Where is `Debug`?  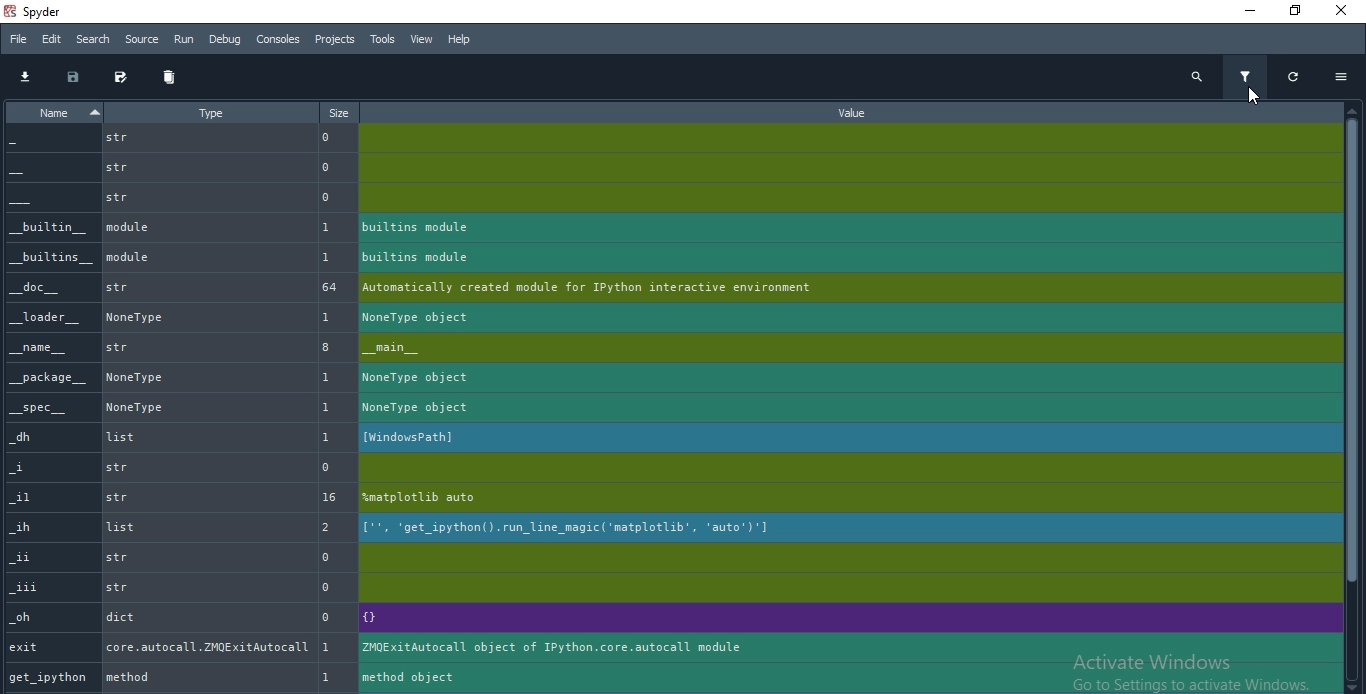
Debug is located at coordinates (223, 38).